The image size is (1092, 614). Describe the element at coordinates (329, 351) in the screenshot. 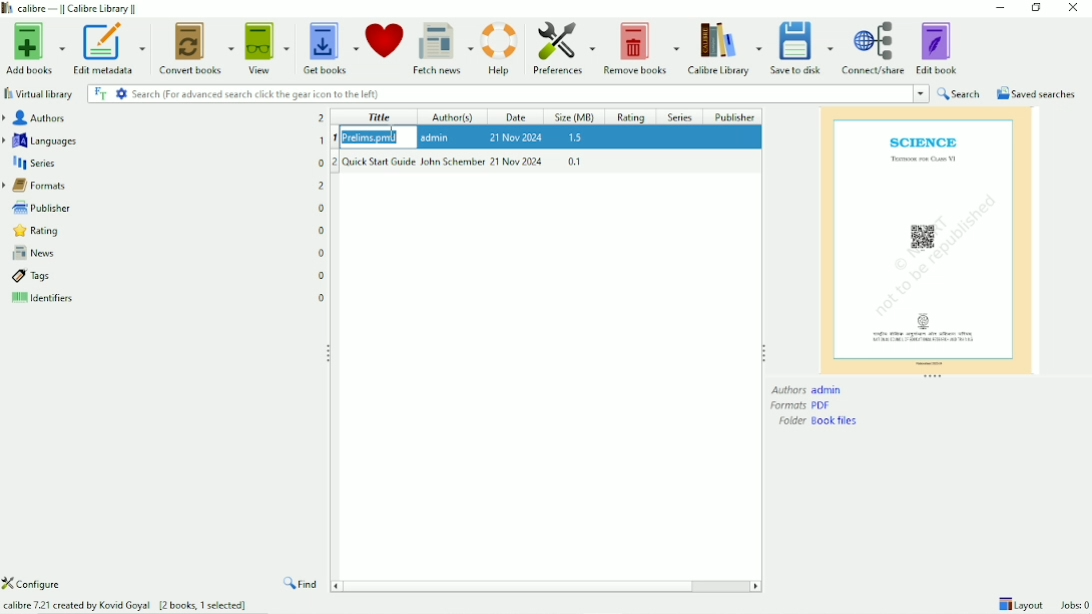

I see `Resize` at that location.